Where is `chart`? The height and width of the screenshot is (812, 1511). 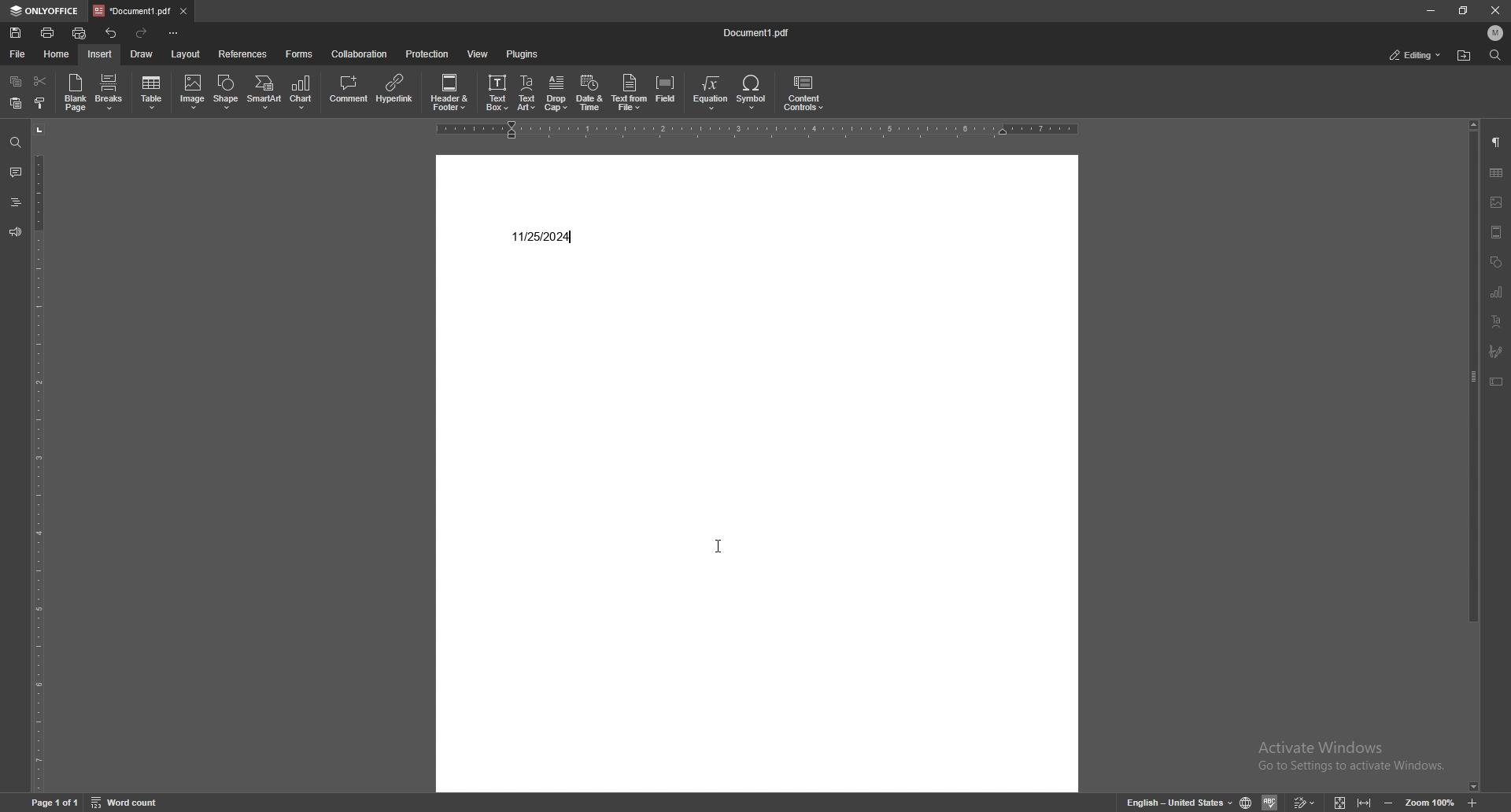
chart is located at coordinates (302, 93).